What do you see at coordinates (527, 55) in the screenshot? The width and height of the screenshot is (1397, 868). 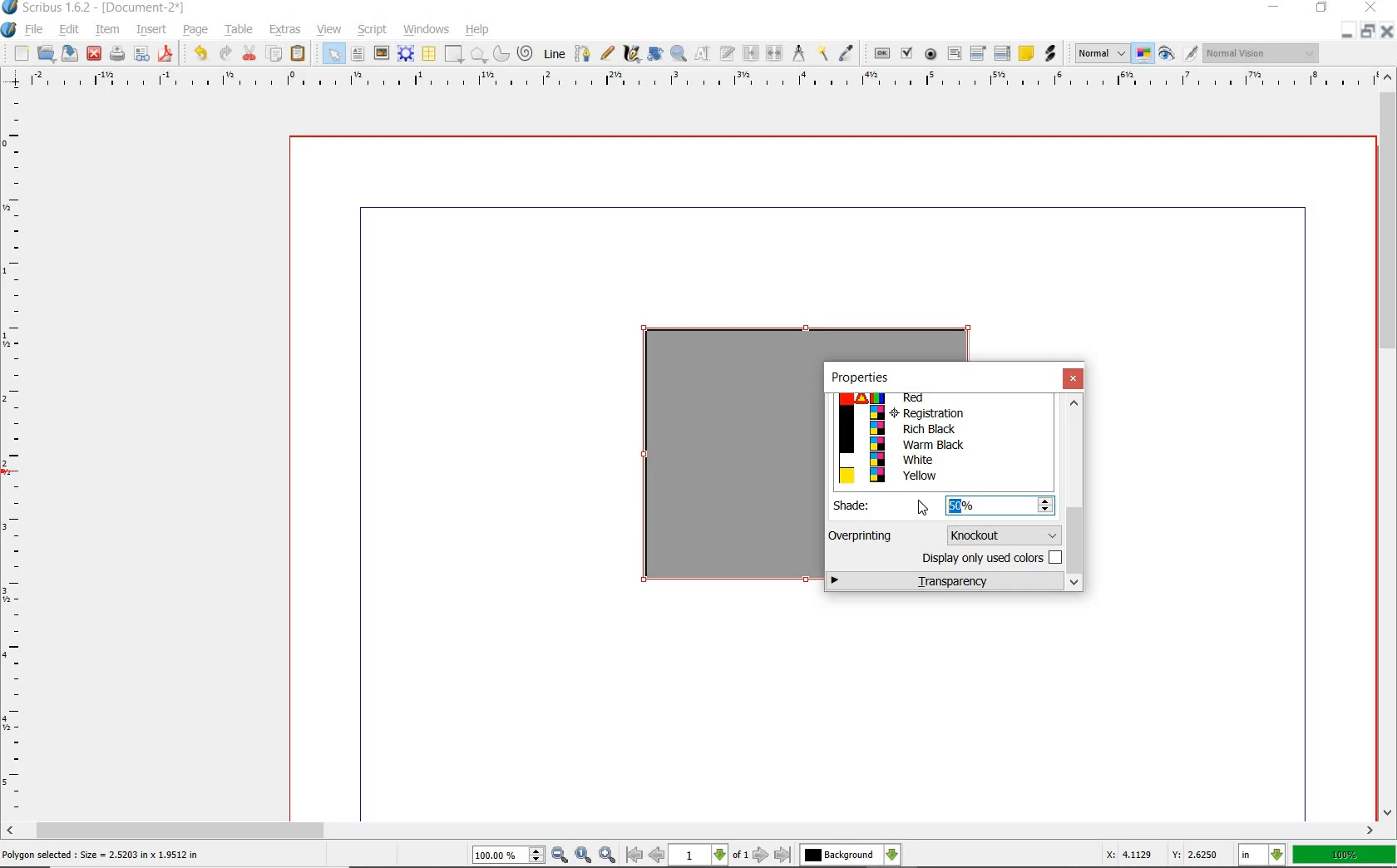 I see `spiral` at bounding box center [527, 55].